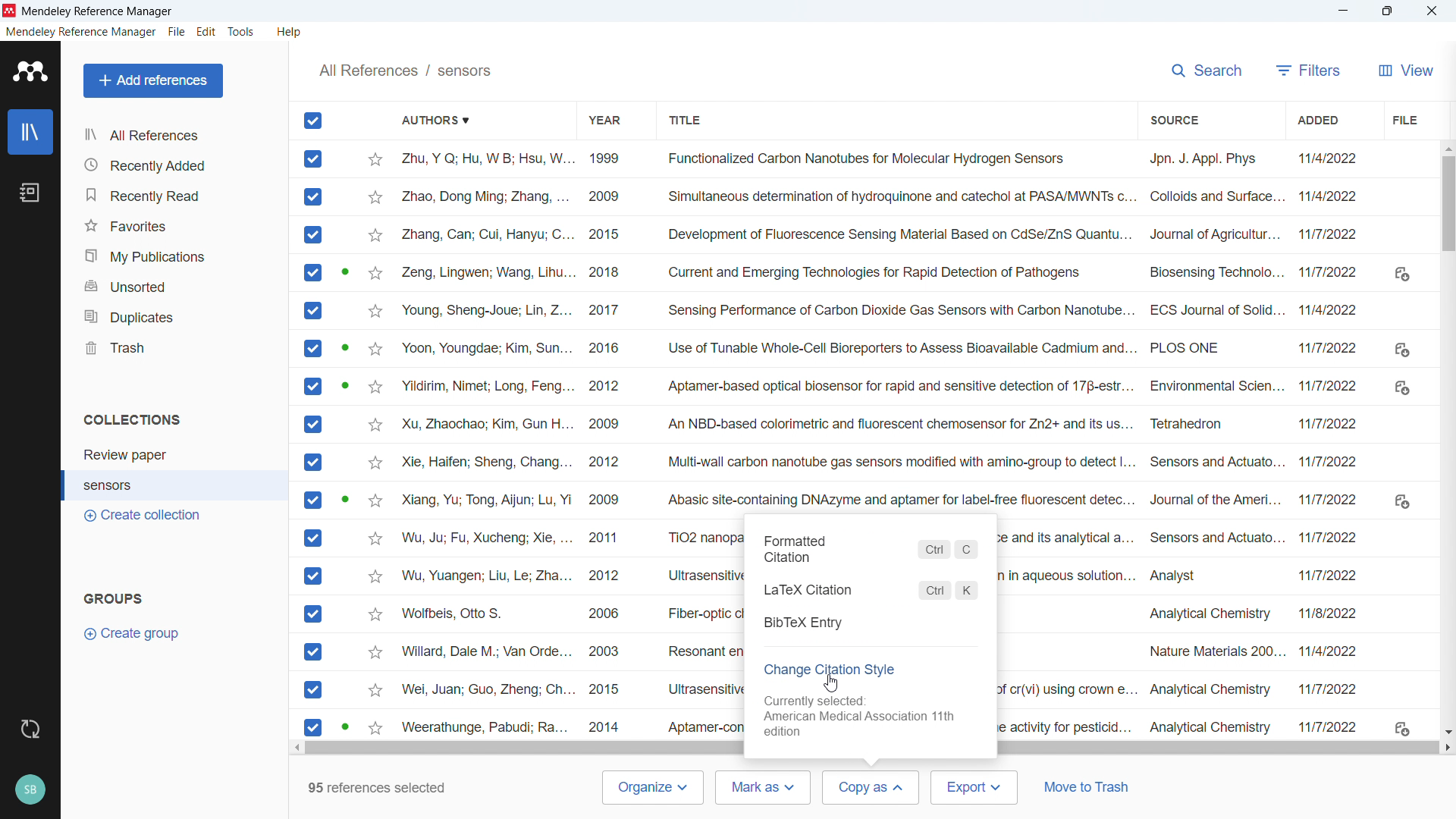 This screenshot has width=1456, height=819. What do you see at coordinates (206, 32) in the screenshot?
I see `edit` at bounding box center [206, 32].